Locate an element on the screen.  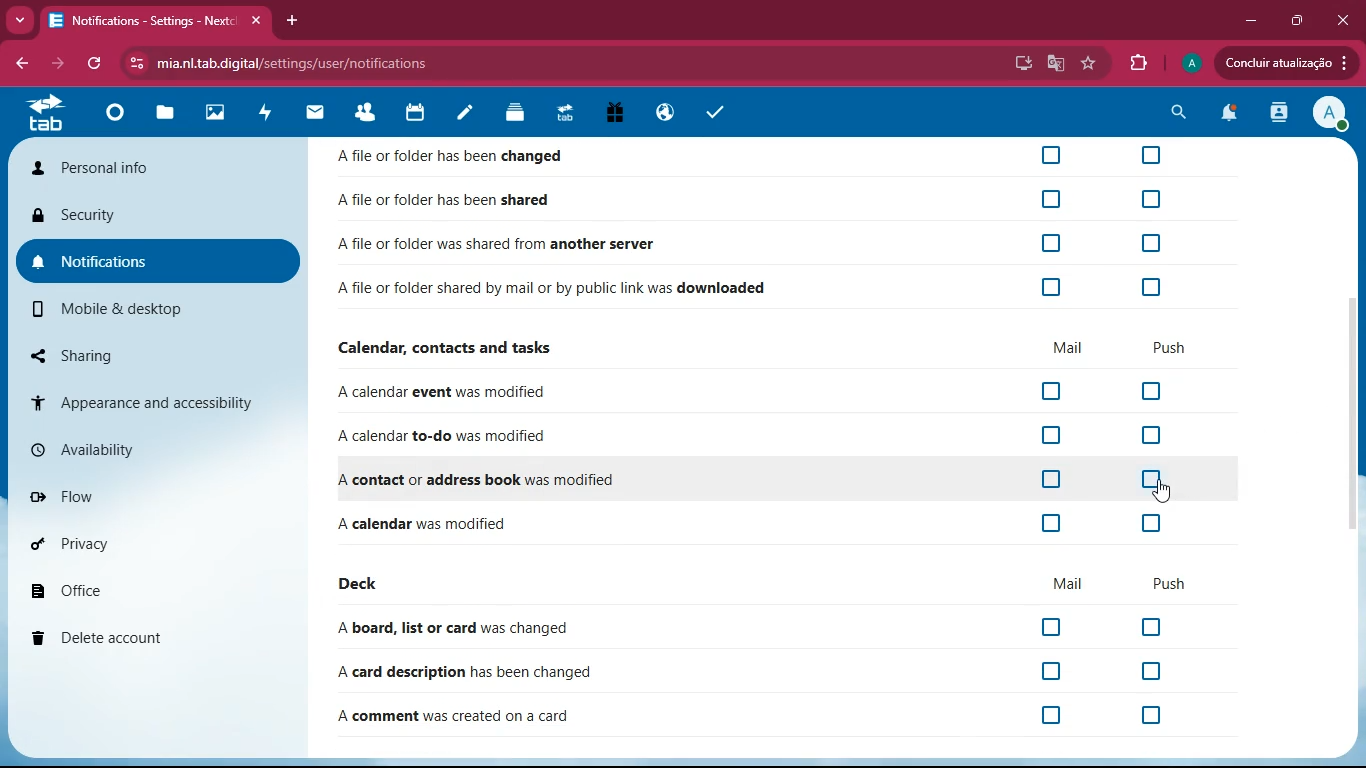
off is located at coordinates (1051, 287).